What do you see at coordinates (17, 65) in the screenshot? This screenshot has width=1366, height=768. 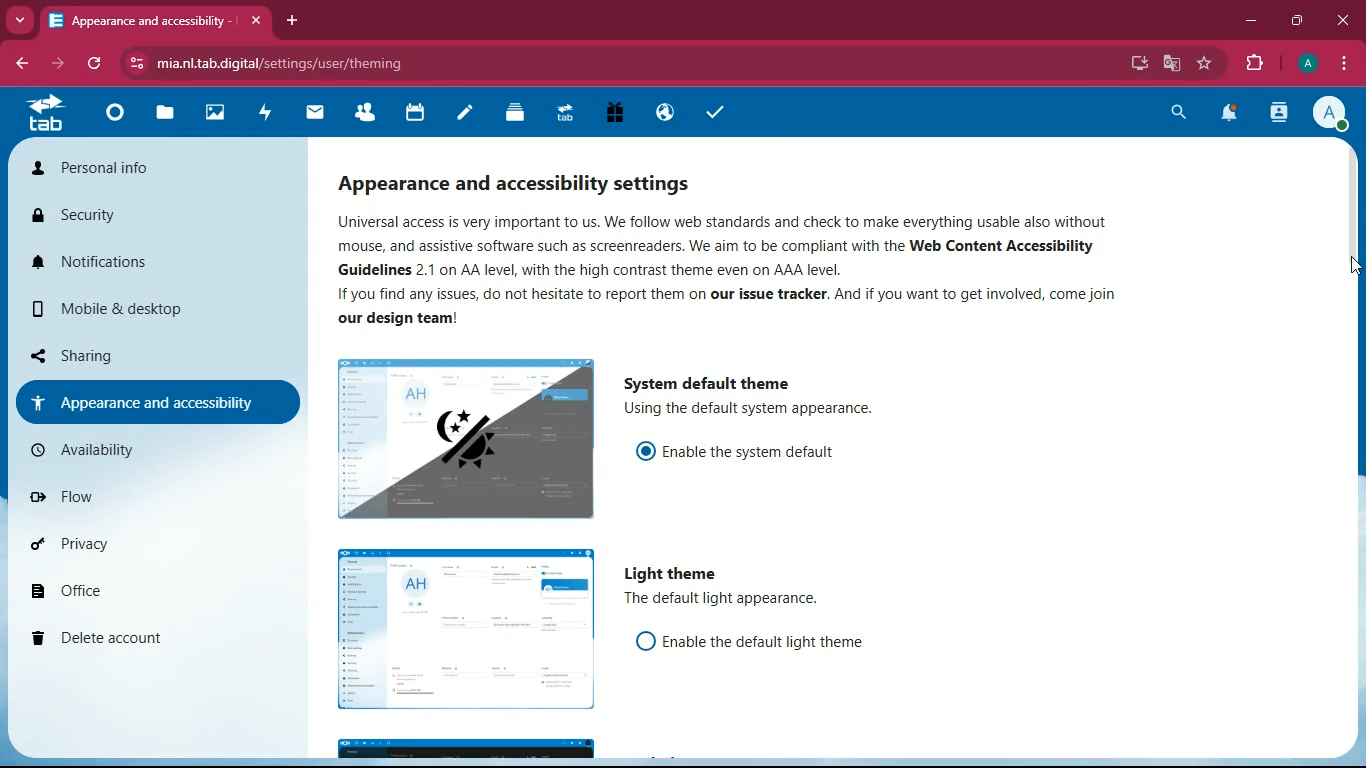 I see `back` at bounding box center [17, 65].